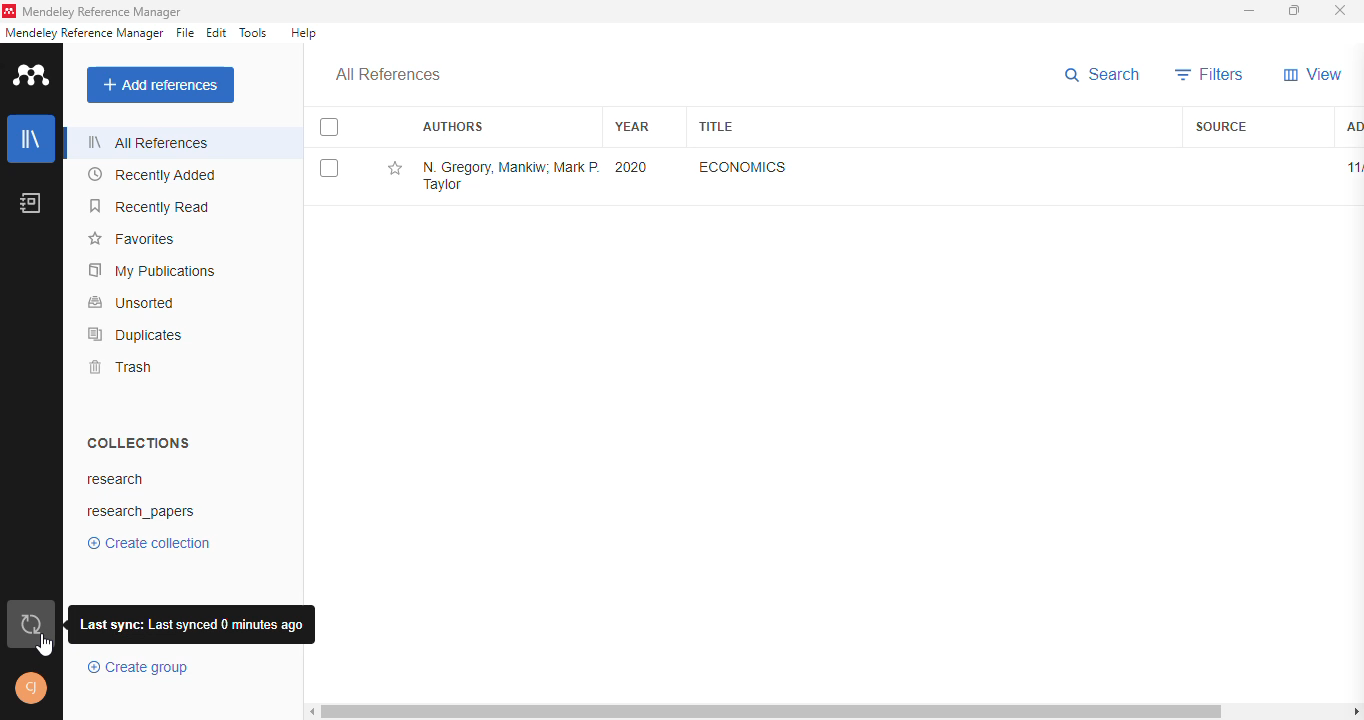 This screenshot has width=1364, height=720. What do you see at coordinates (1210, 74) in the screenshot?
I see `filters` at bounding box center [1210, 74].